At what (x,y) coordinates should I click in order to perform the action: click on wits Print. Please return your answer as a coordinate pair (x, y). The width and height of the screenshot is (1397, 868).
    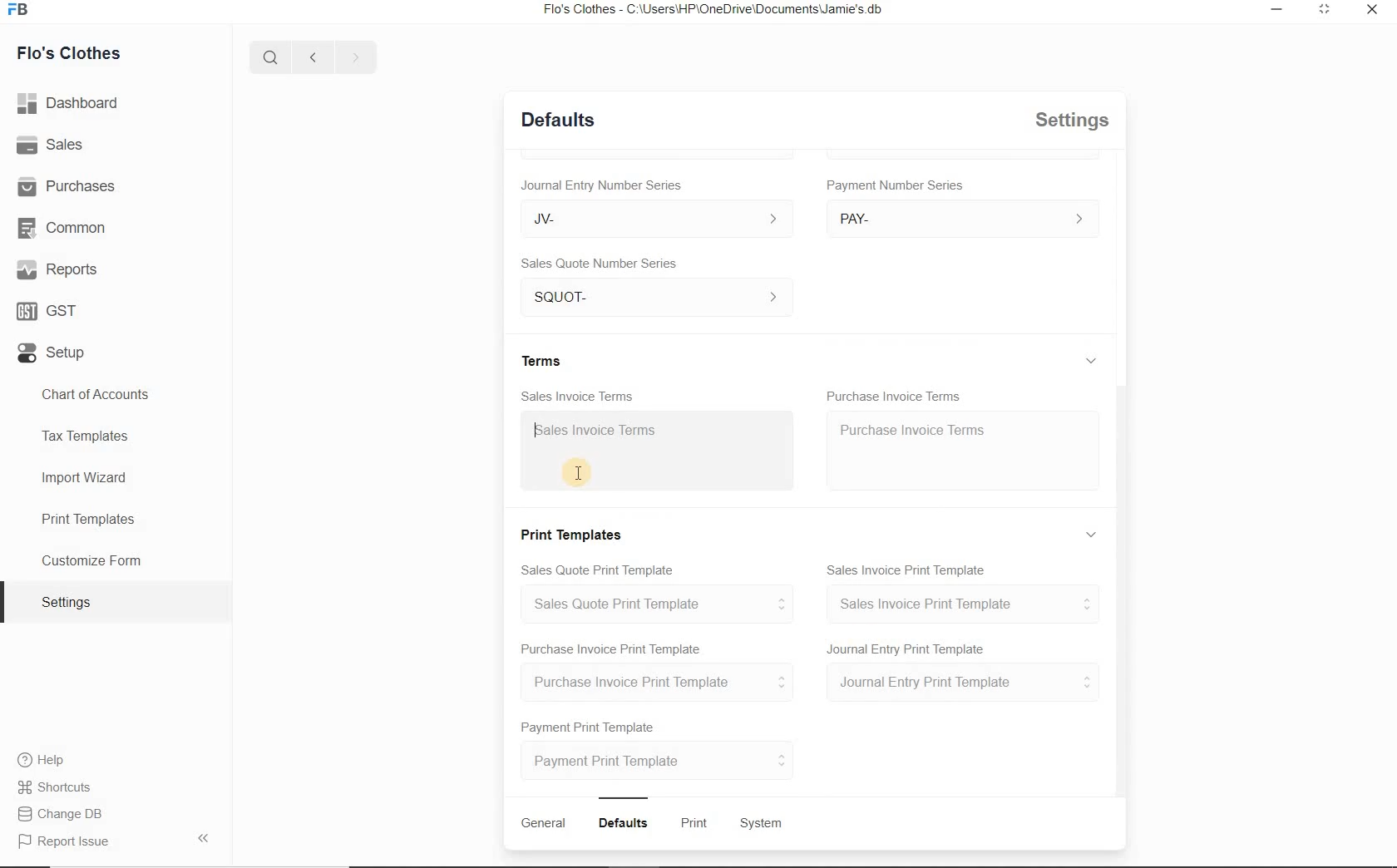
    Looking at the image, I should click on (690, 822).